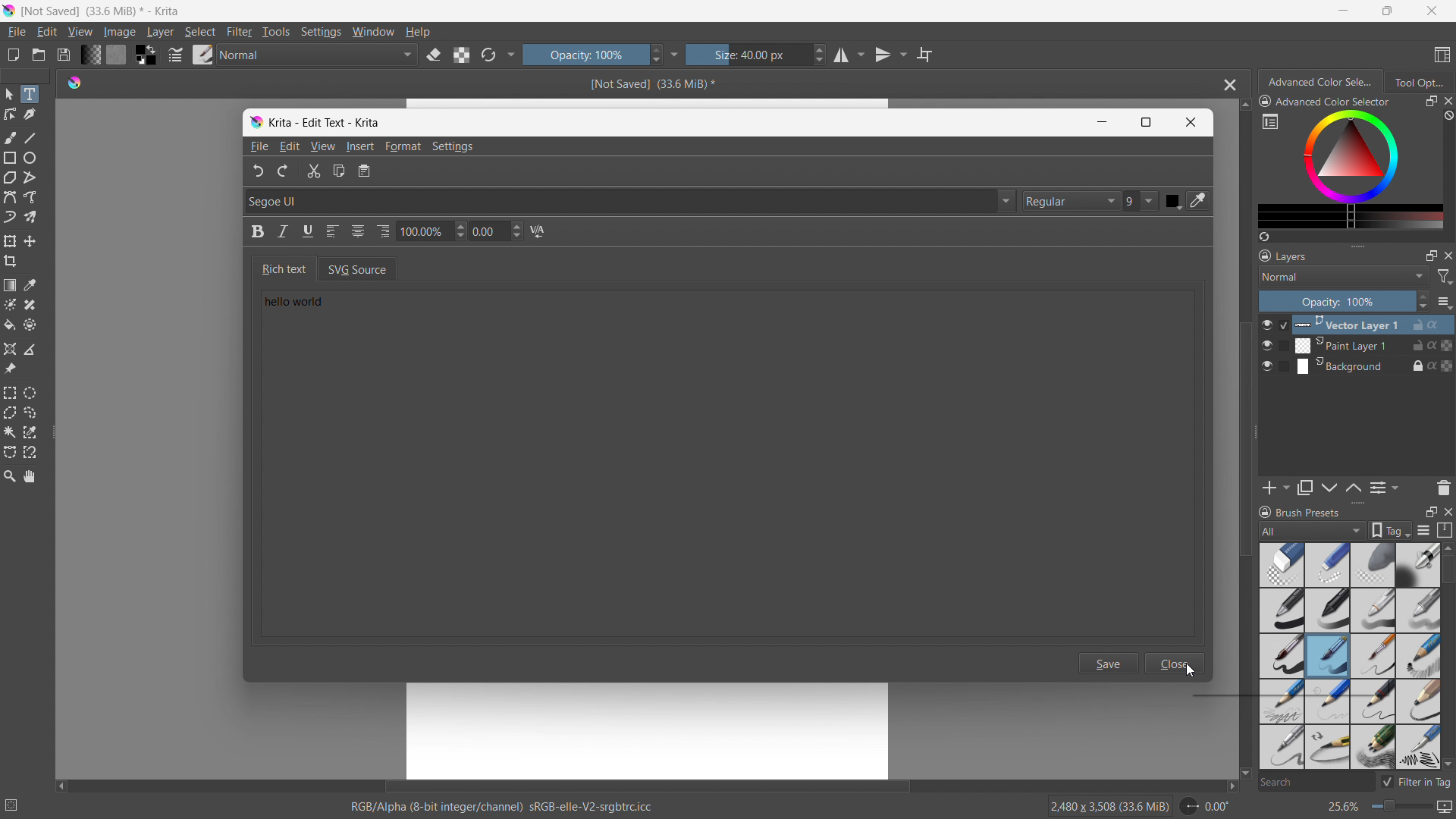 Image resolution: width=1456 pixels, height=819 pixels. I want to click on horizontal scrollbar, so click(646, 784).